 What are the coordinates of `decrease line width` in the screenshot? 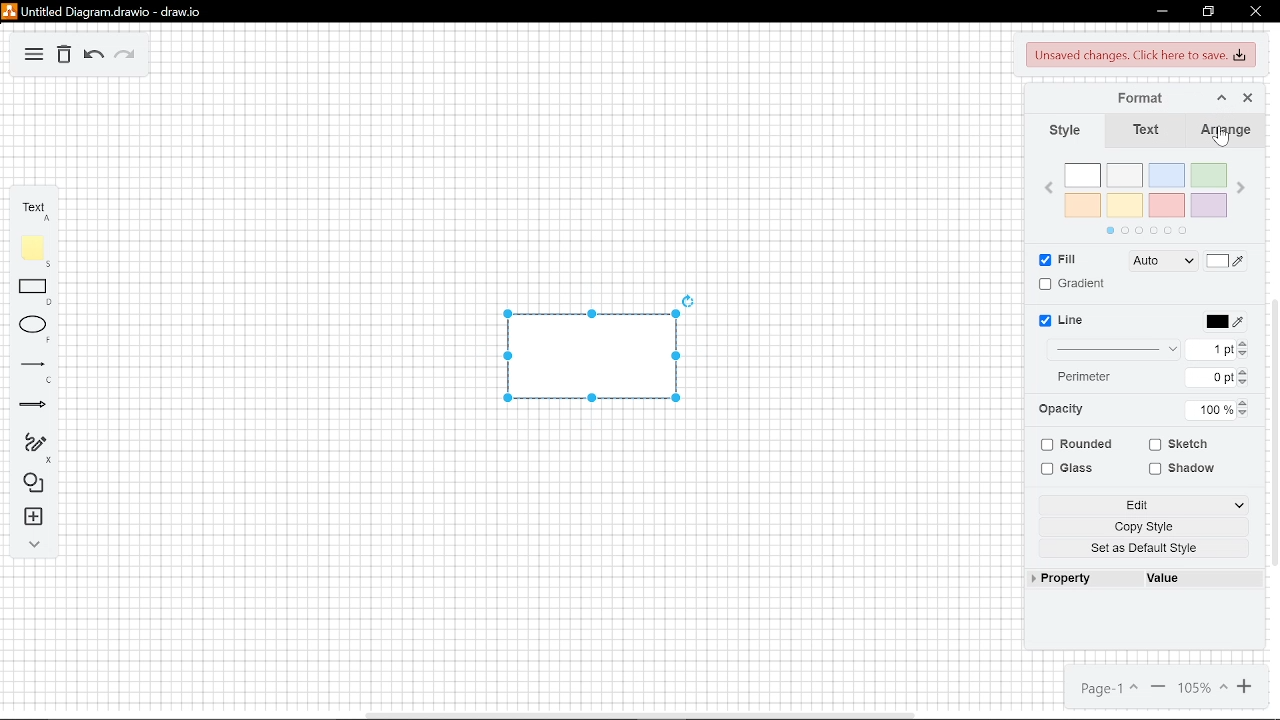 It's located at (1246, 355).